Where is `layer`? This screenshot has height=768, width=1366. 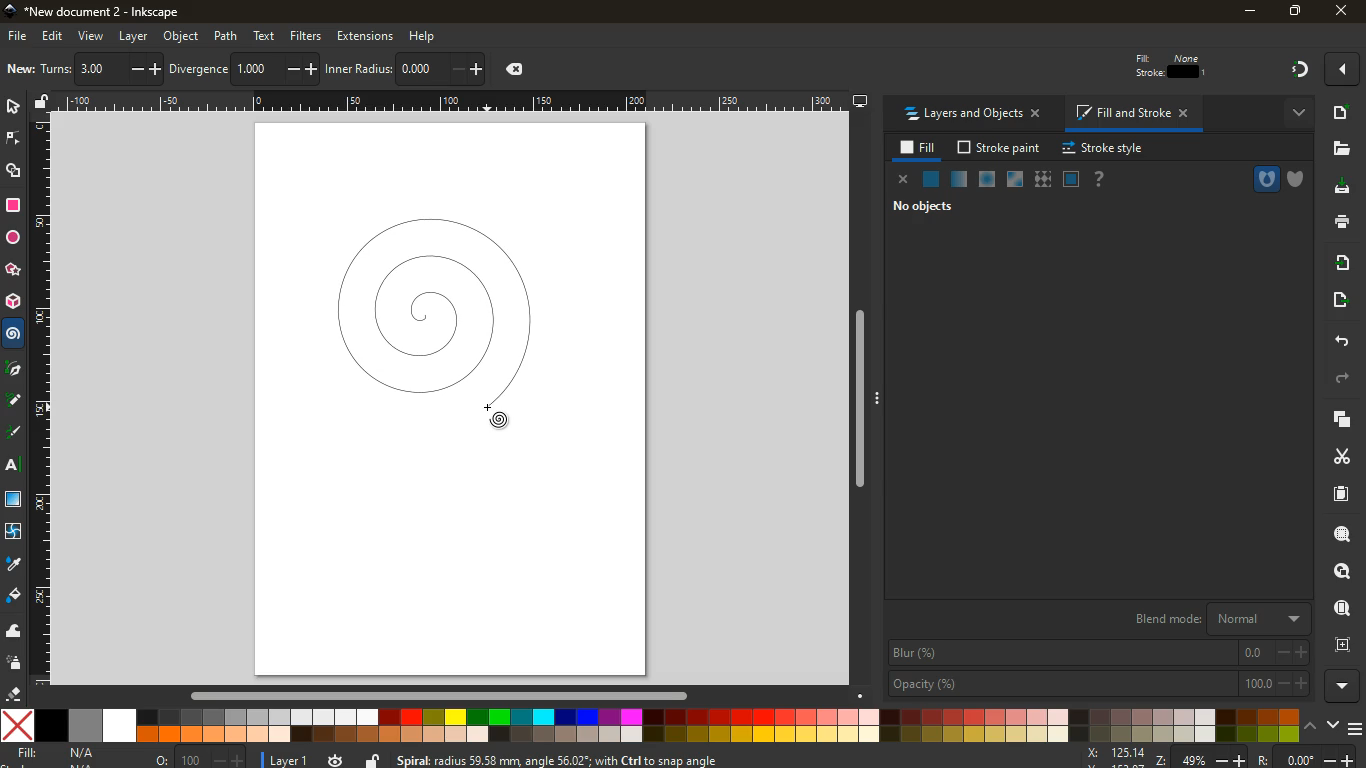 layer is located at coordinates (135, 36).